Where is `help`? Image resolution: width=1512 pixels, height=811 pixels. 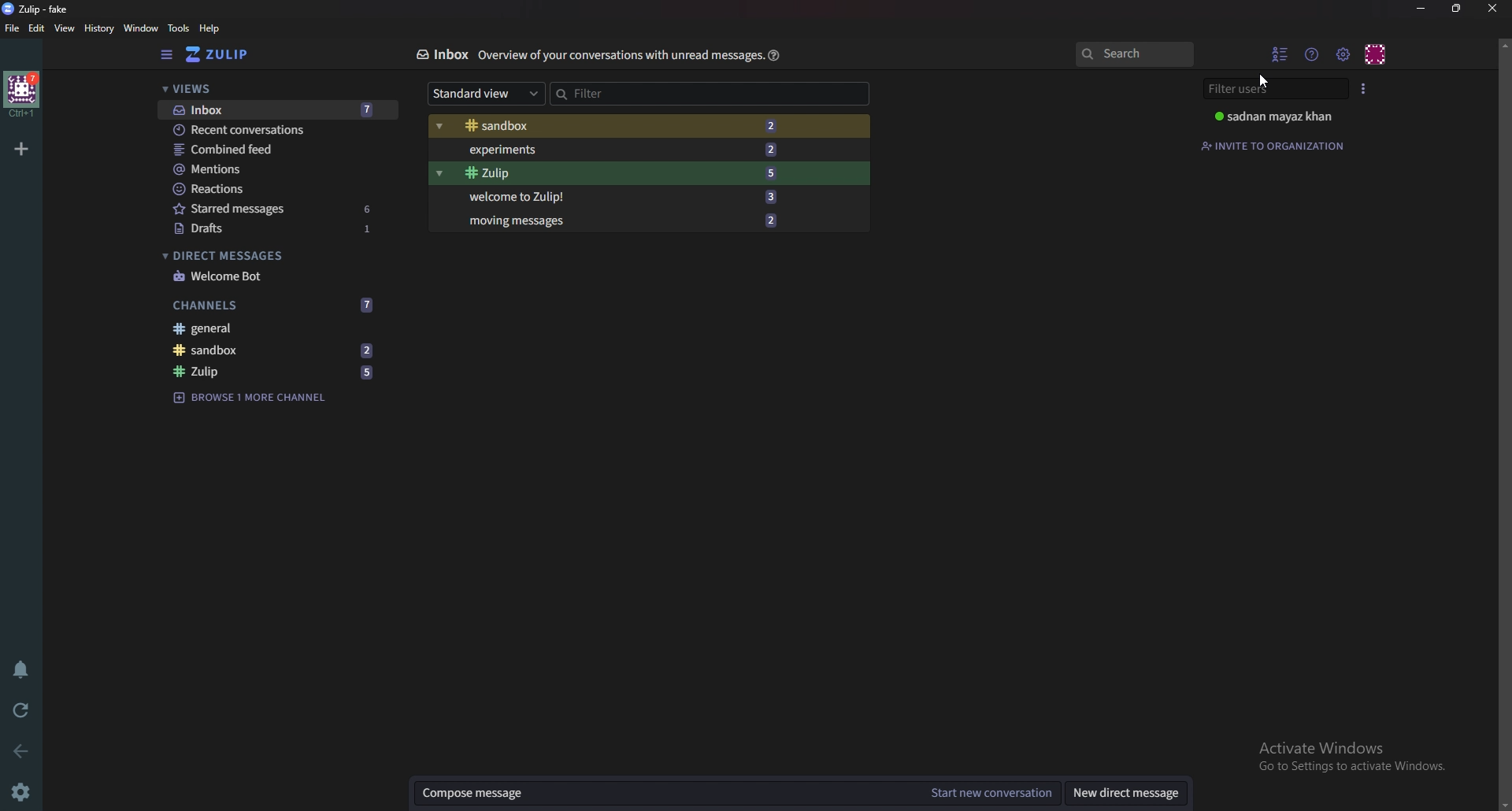
help is located at coordinates (212, 28).